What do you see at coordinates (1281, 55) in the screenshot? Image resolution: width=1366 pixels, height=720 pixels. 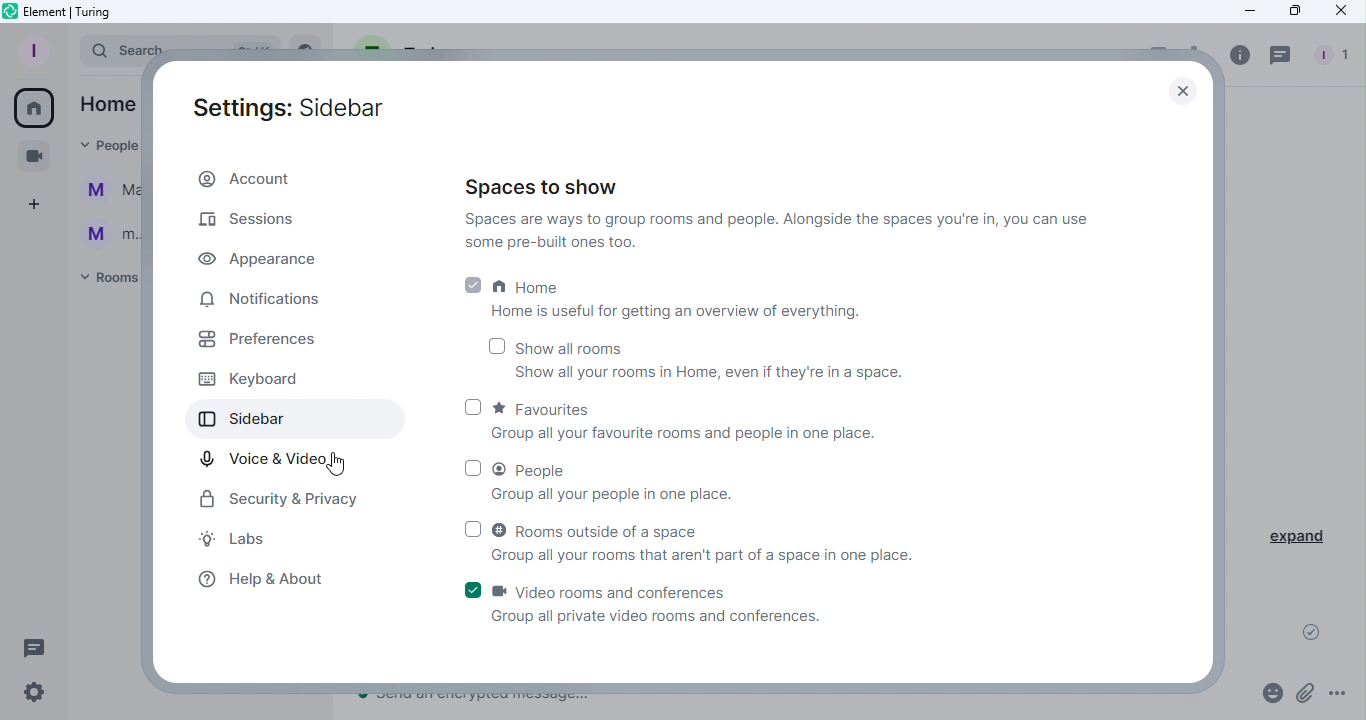 I see `Threads` at bounding box center [1281, 55].